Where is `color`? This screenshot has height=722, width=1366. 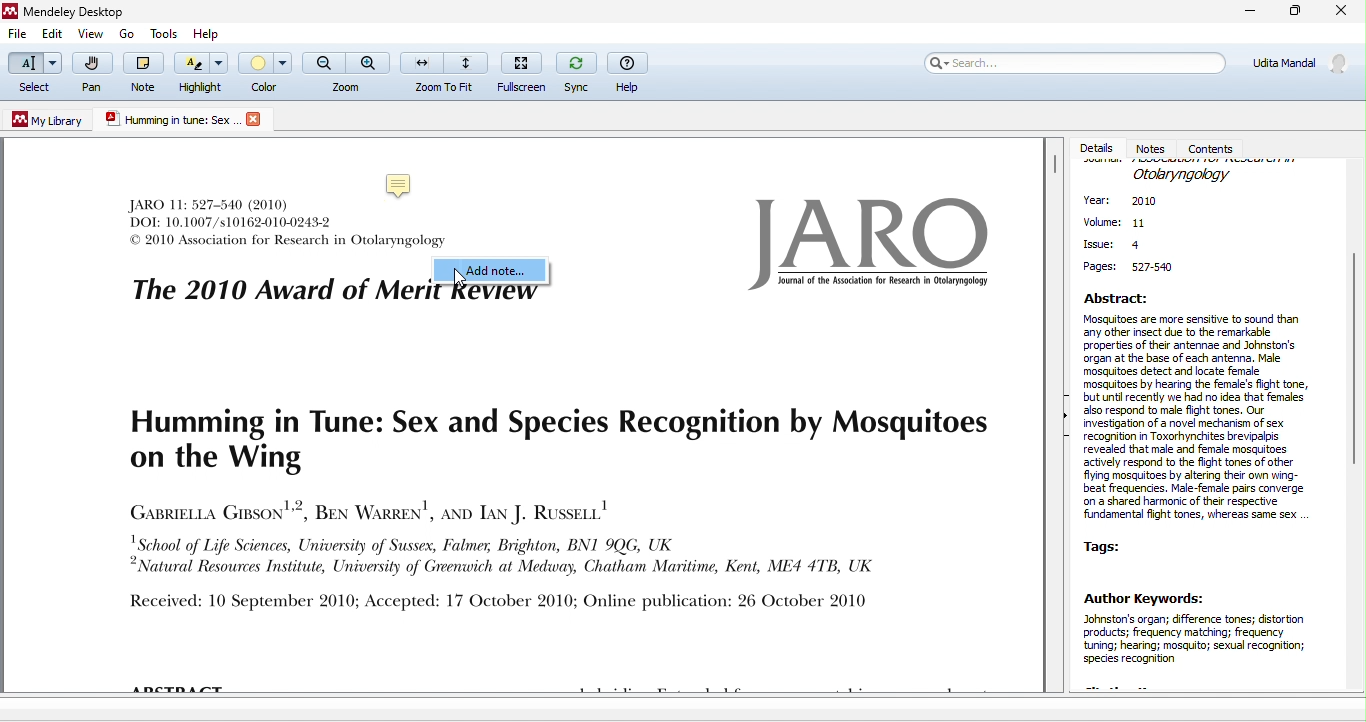 color is located at coordinates (266, 70).